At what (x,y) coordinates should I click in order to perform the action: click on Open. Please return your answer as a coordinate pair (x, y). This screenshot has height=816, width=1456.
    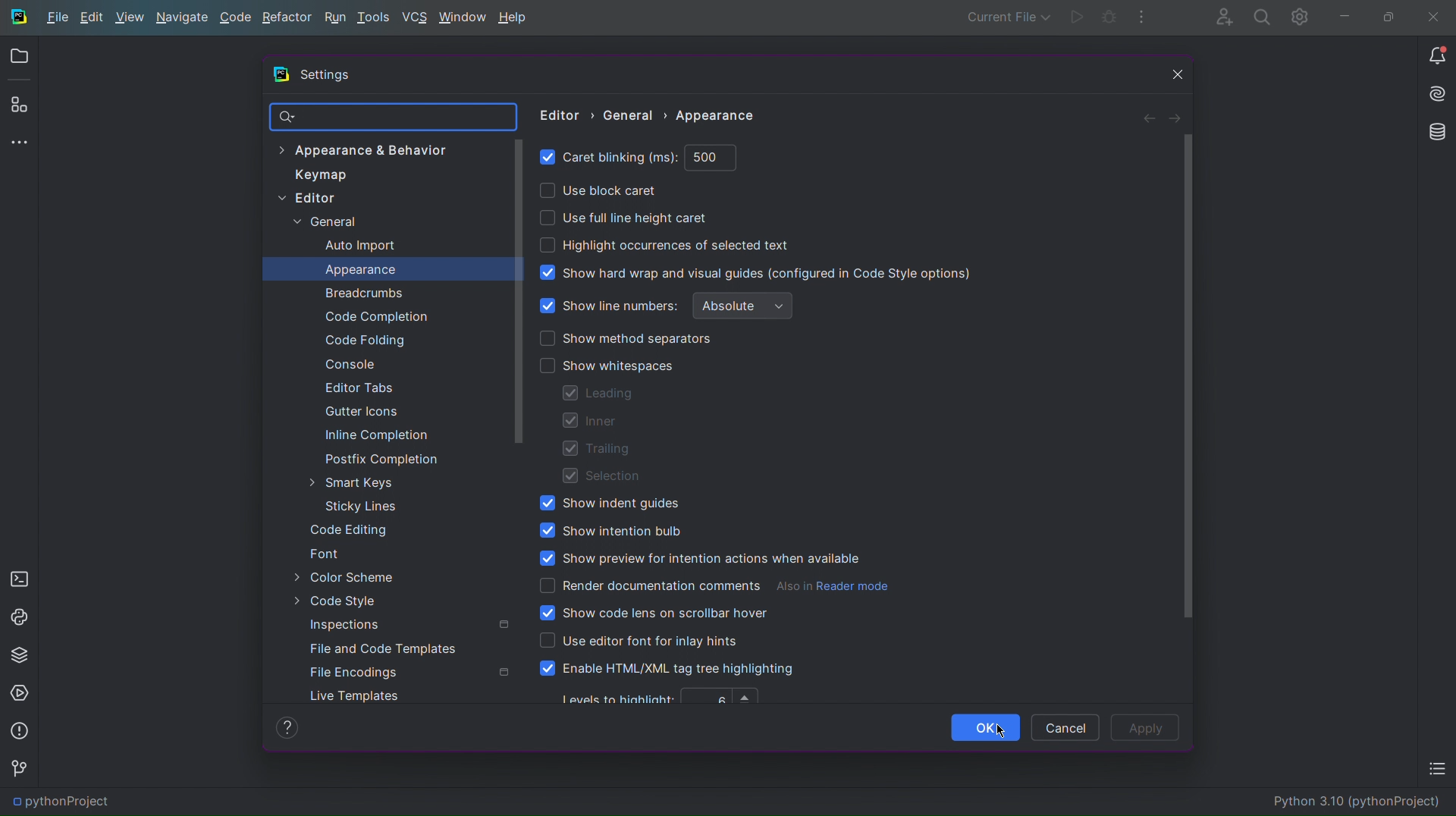
    Looking at the image, I should click on (21, 58).